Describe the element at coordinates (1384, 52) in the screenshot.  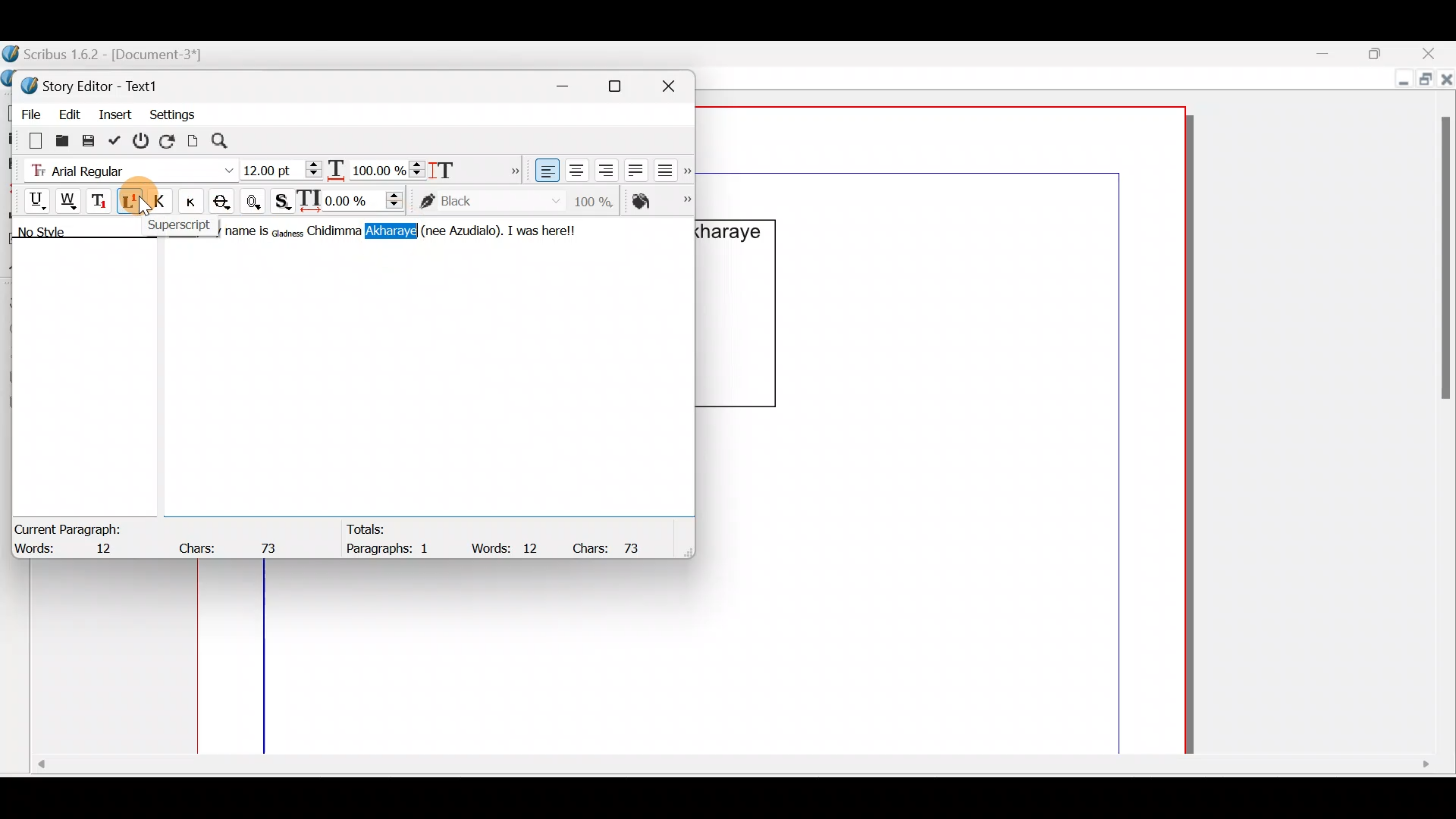
I see `Maximize` at that location.